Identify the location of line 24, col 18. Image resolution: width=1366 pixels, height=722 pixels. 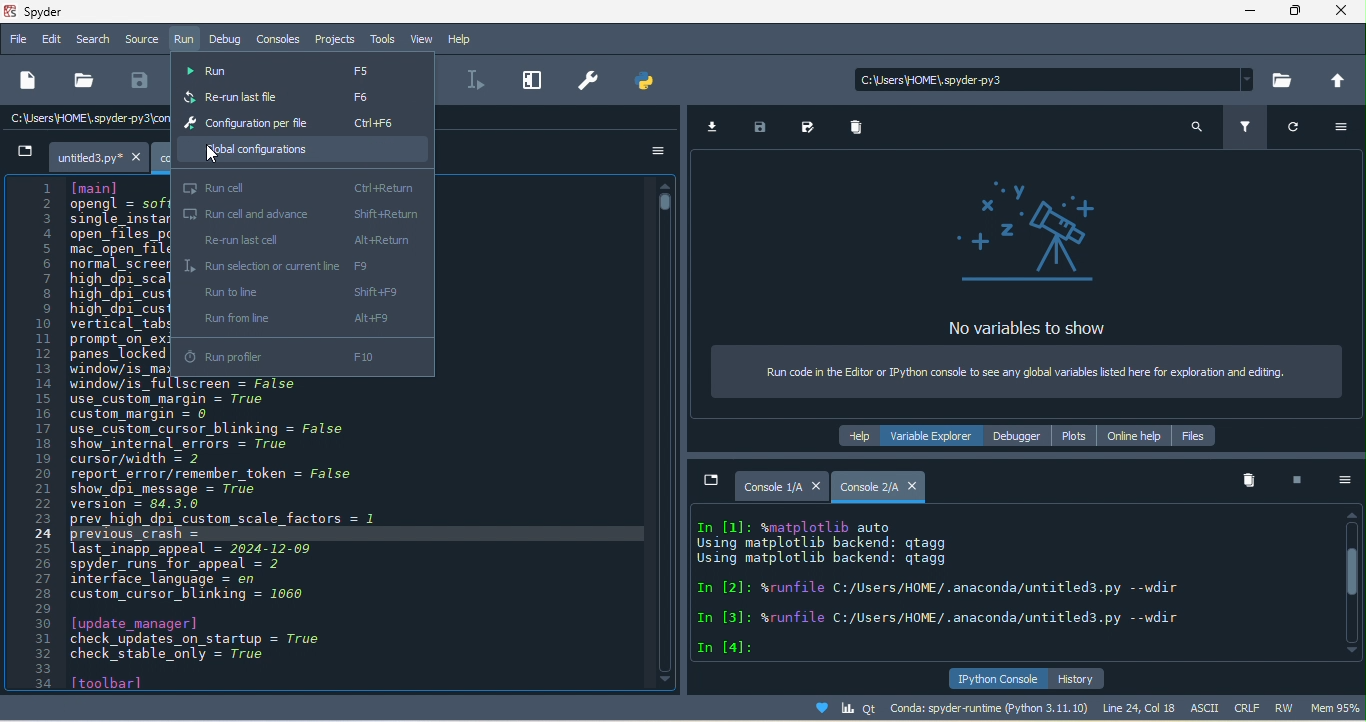
(1144, 707).